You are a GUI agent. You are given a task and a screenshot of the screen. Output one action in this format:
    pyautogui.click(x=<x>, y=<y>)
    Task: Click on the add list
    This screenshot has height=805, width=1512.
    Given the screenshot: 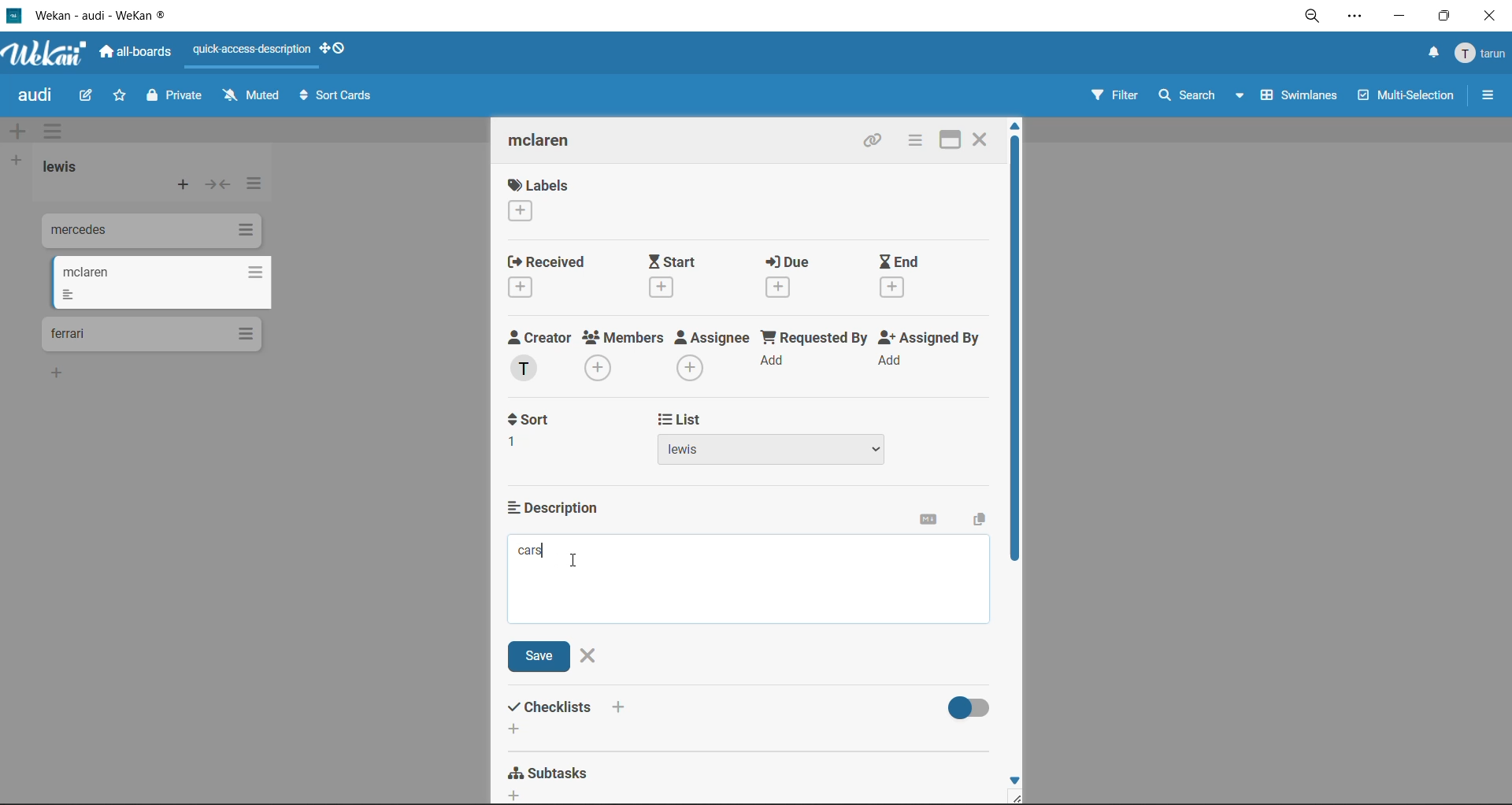 What is the action you would take?
    pyautogui.click(x=15, y=161)
    